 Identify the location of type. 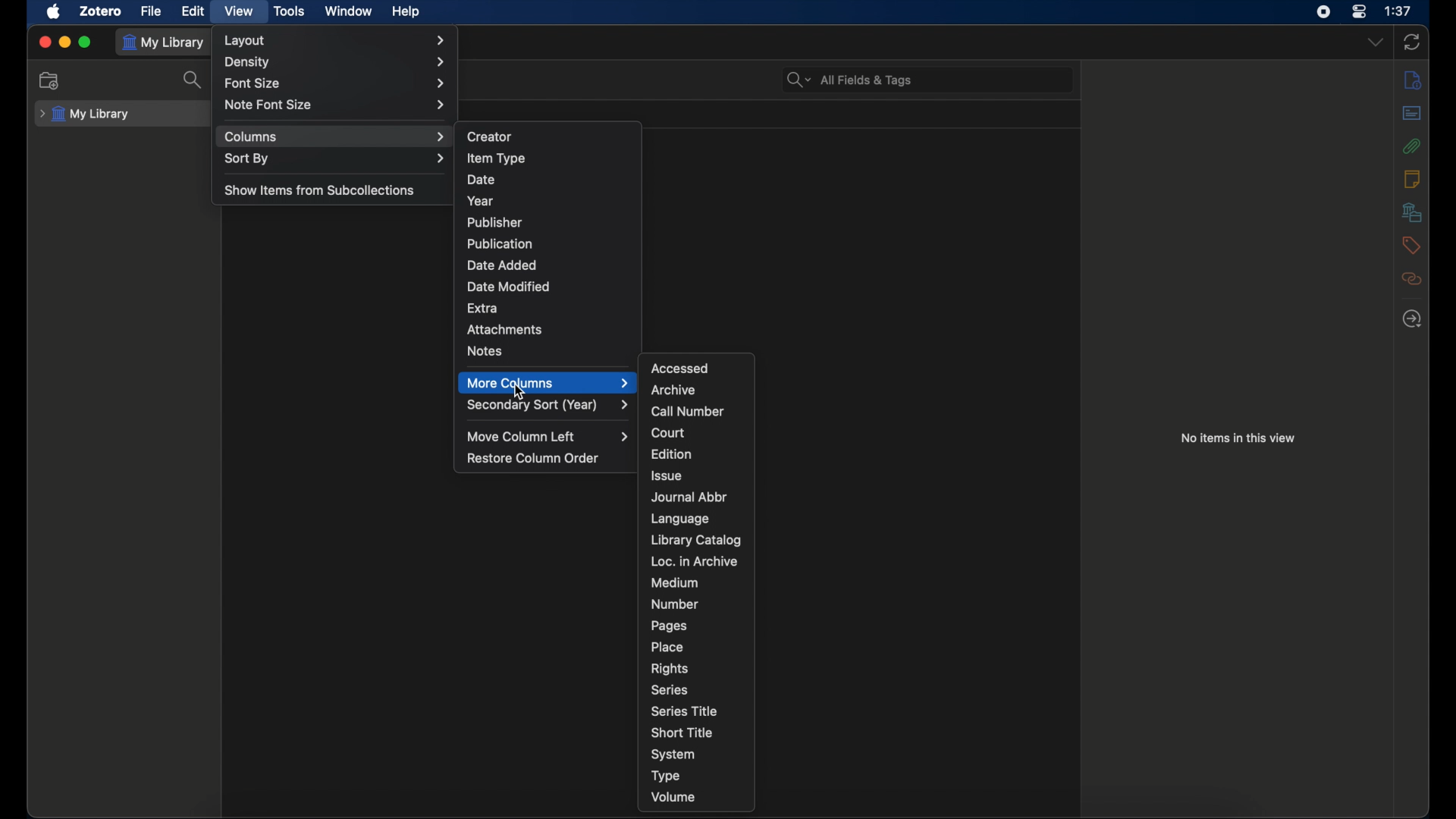
(666, 776).